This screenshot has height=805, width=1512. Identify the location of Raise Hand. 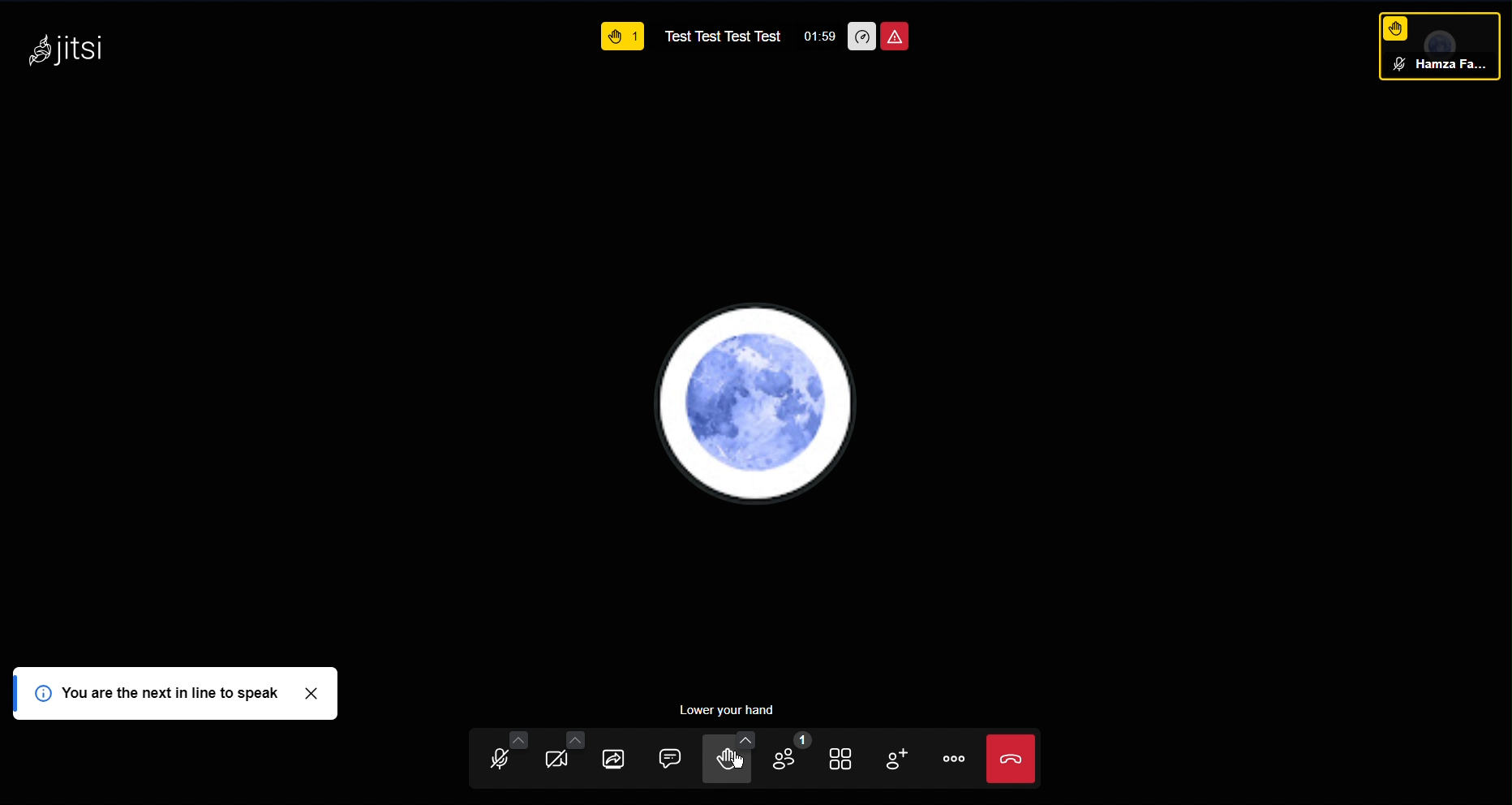
(1395, 26).